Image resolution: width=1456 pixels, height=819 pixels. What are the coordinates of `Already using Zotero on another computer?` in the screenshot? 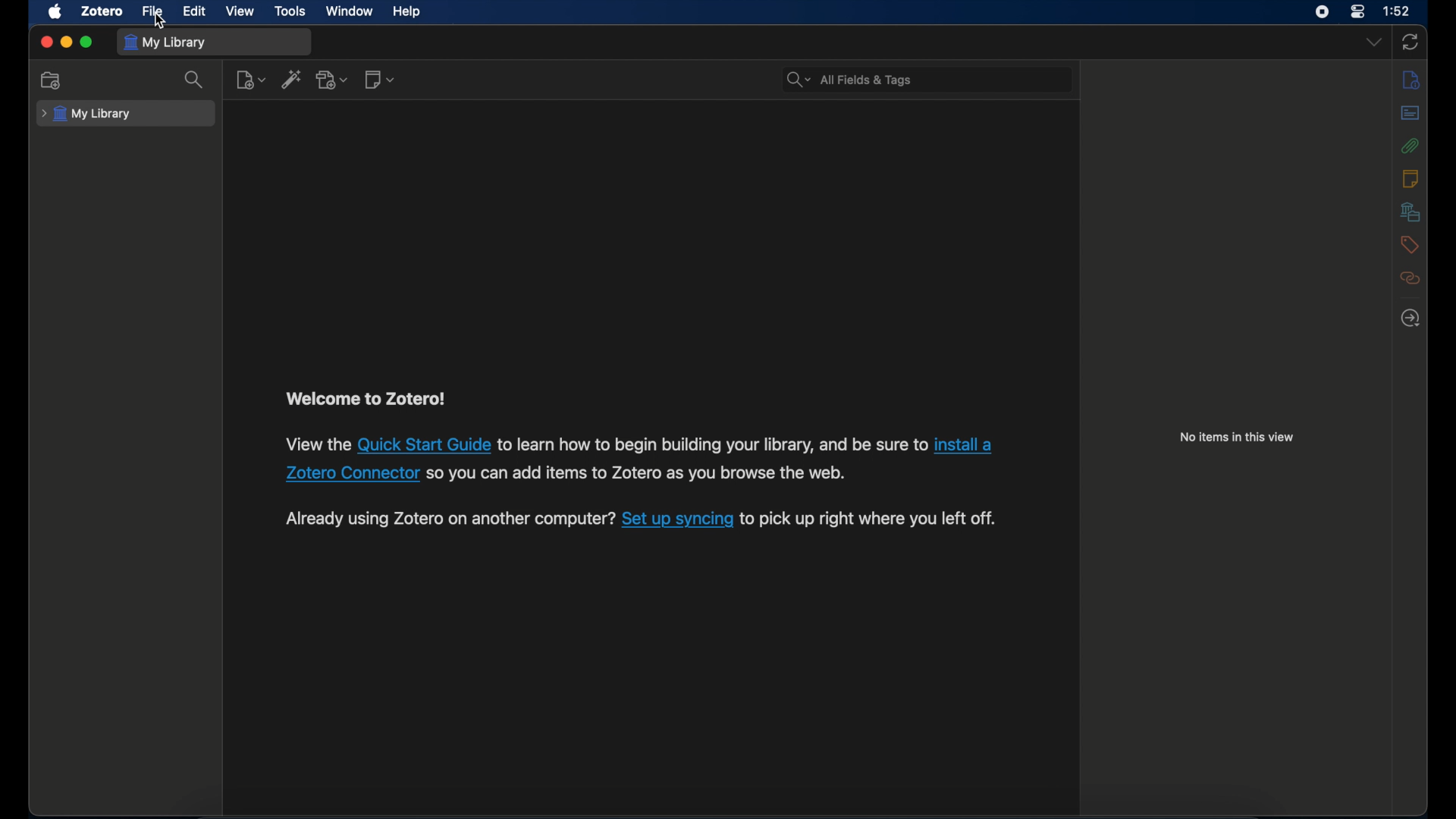 It's located at (450, 516).